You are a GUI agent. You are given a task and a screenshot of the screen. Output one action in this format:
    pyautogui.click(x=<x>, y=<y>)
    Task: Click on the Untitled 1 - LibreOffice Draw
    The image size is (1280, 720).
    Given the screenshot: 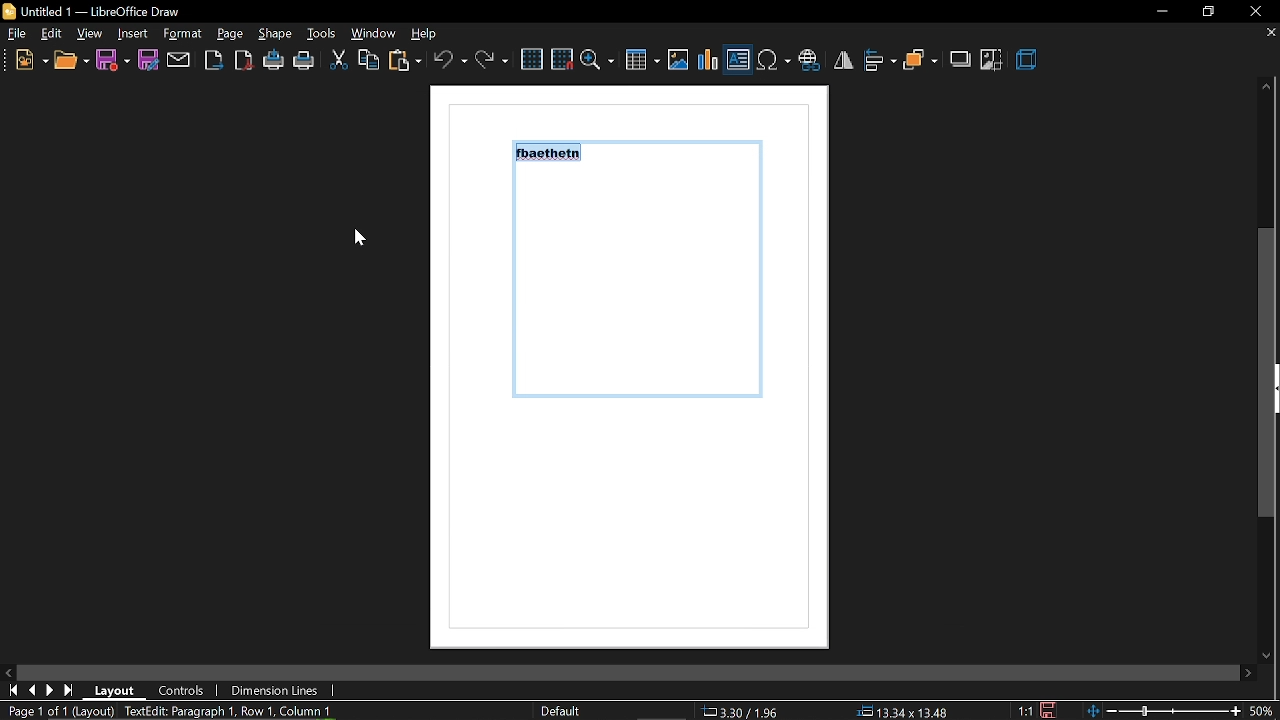 What is the action you would take?
    pyautogui.click(x=92, y=10)
    